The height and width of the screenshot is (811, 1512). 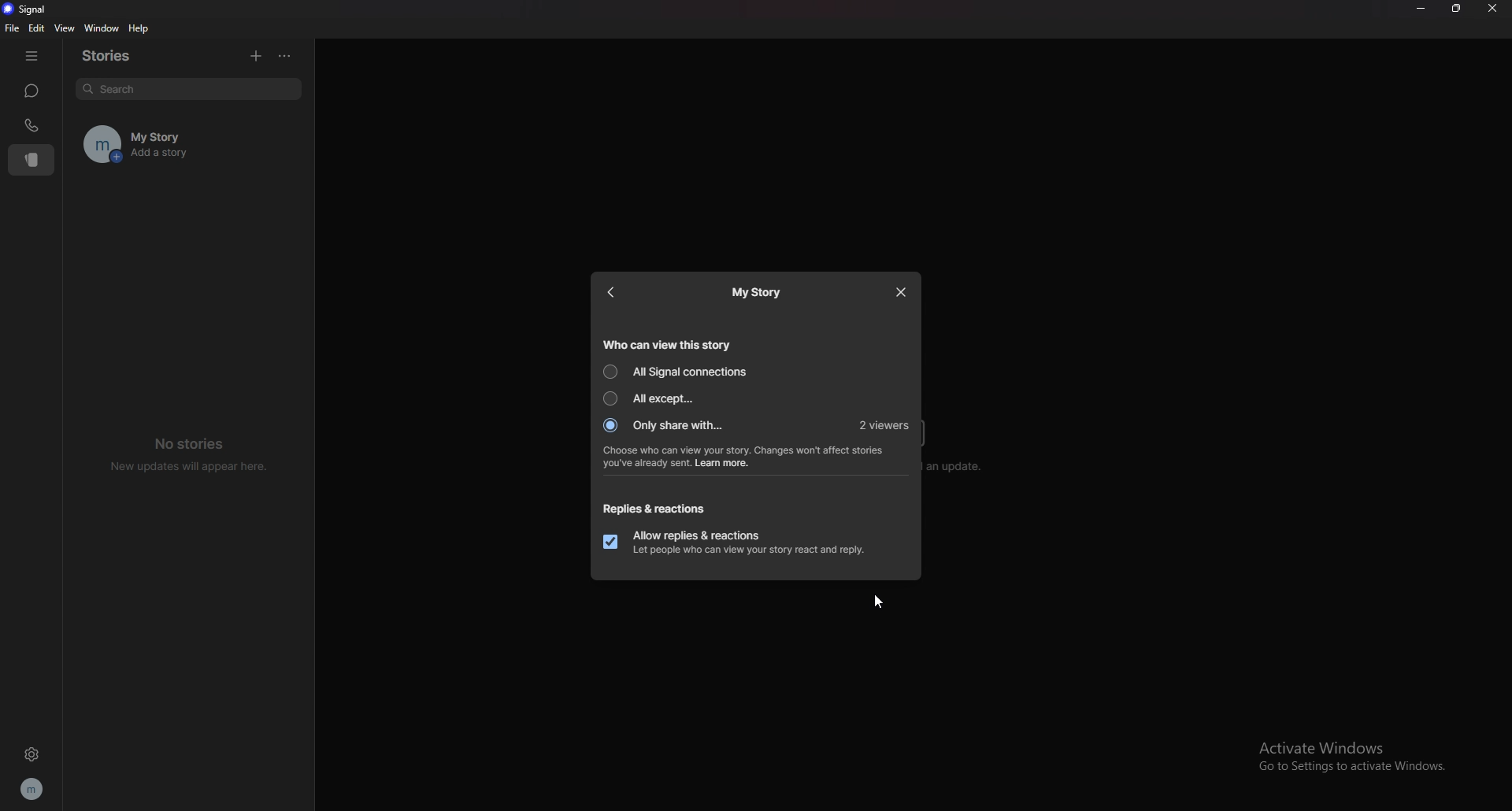 I want to click on all signal connections, so click(x=680, y=372).